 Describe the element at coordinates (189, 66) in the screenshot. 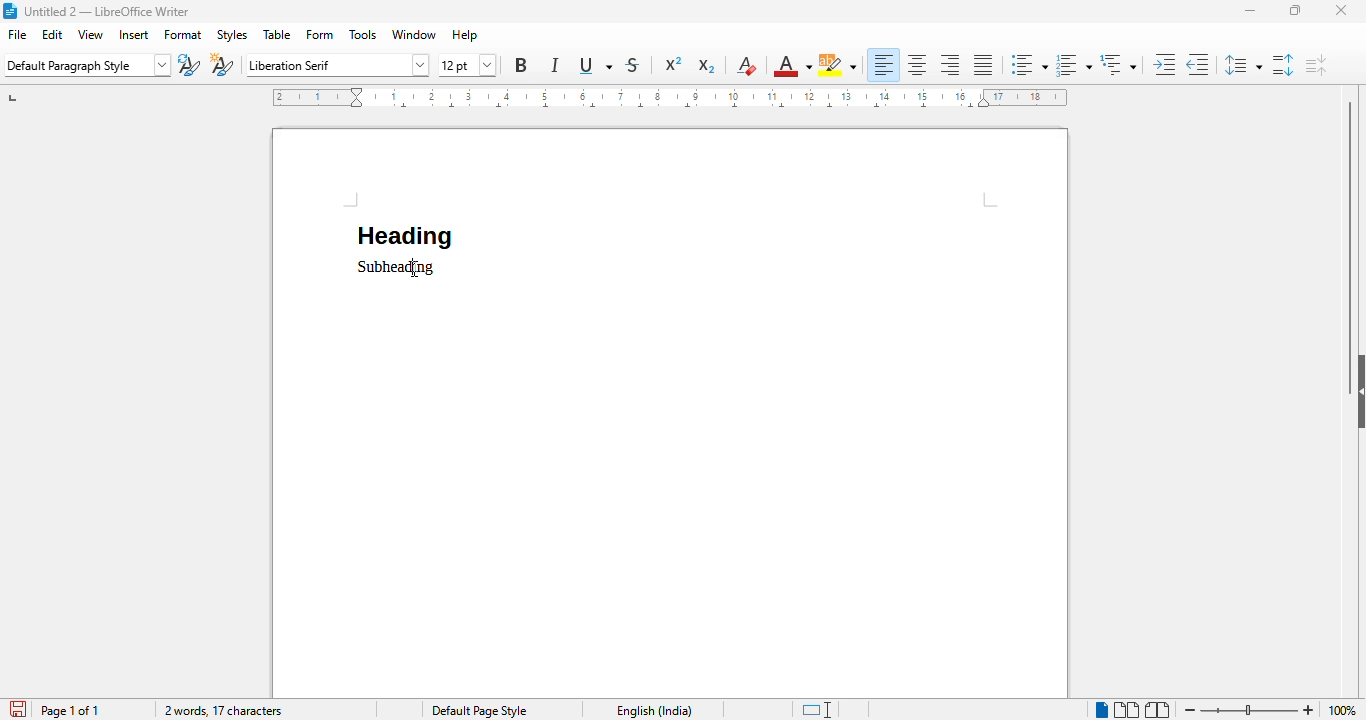

I see `update selected style` at that location.